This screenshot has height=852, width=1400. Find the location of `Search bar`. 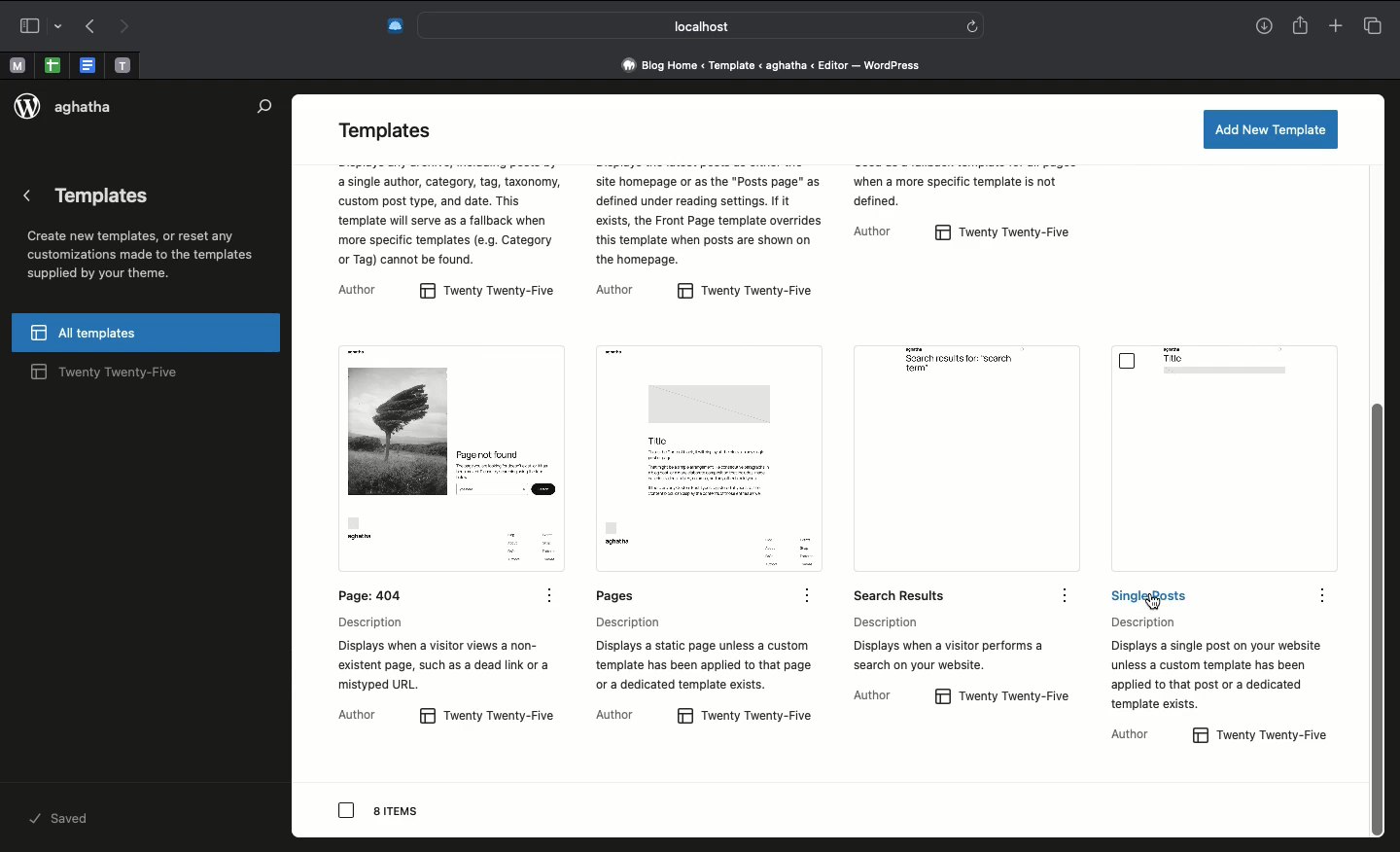

Search bar is located at coordinates (704, 25).